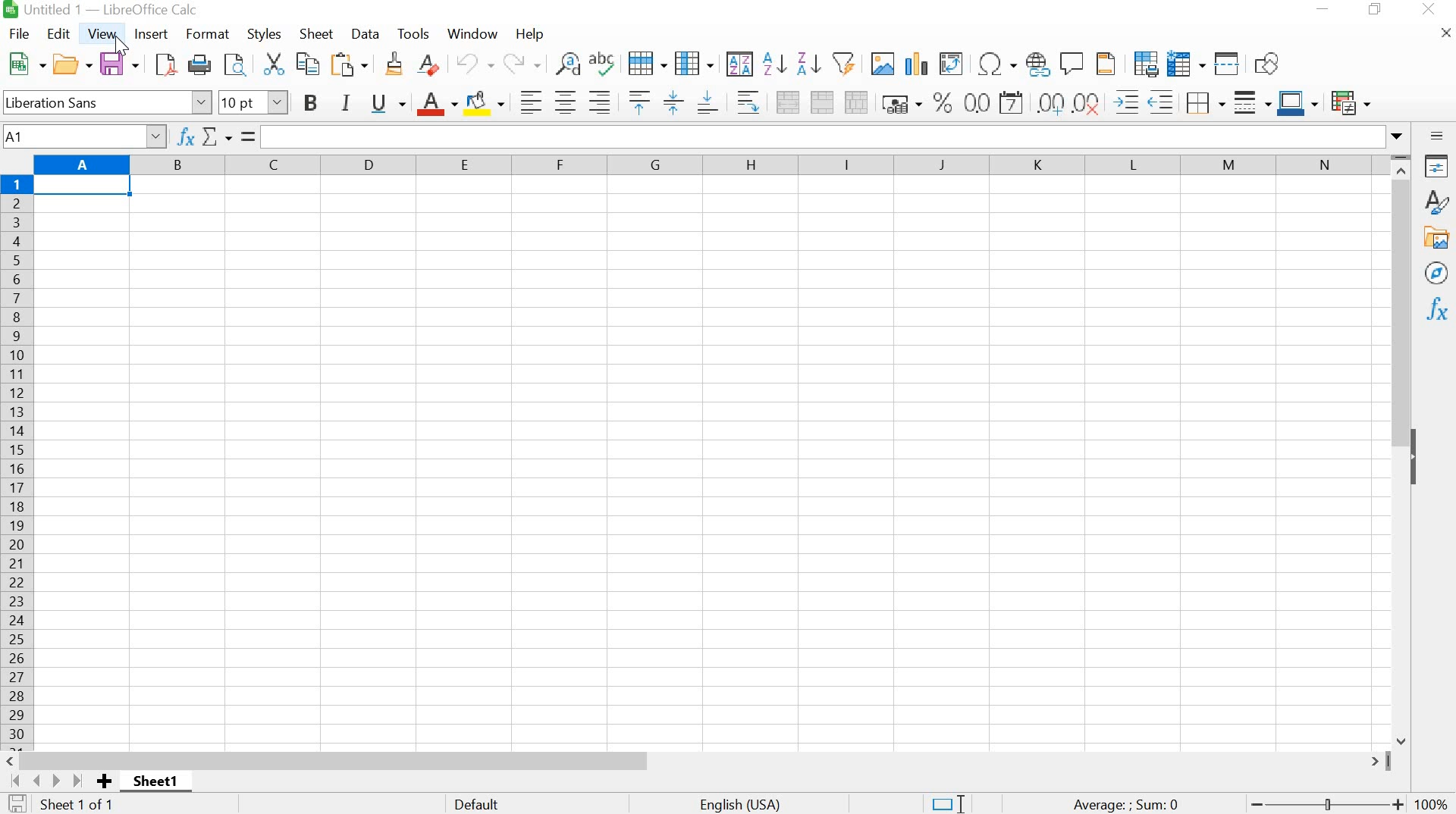 The height and width of the screenshot is (814, 1456). What do you see at coordinates (1184, 63) in the screenshot?
I see `FREEZE ROWS AND COLUMNS` at bounding box center [1184, 63].